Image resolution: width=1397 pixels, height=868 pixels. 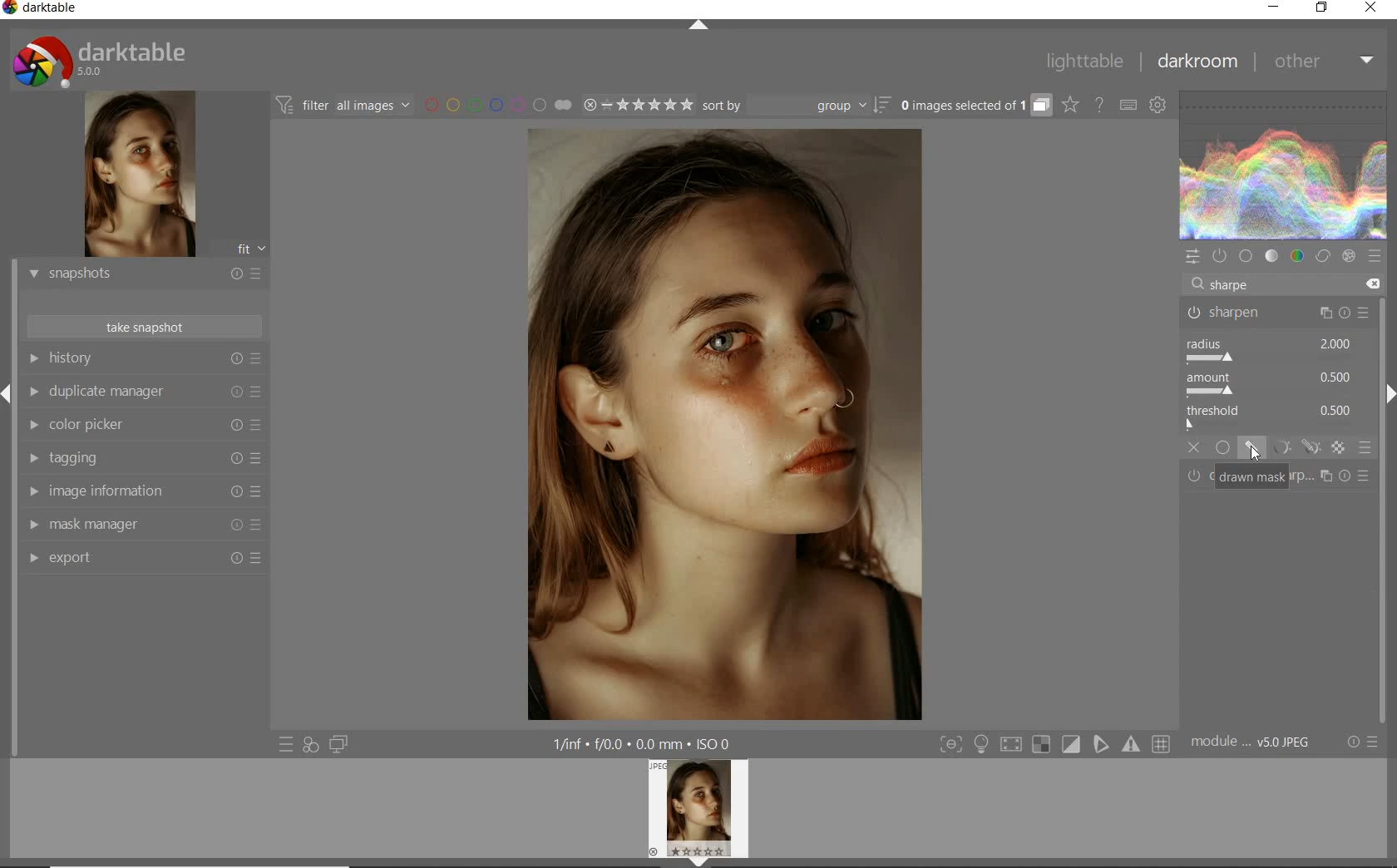 I want to click on close, so click(x=1372, y=9).